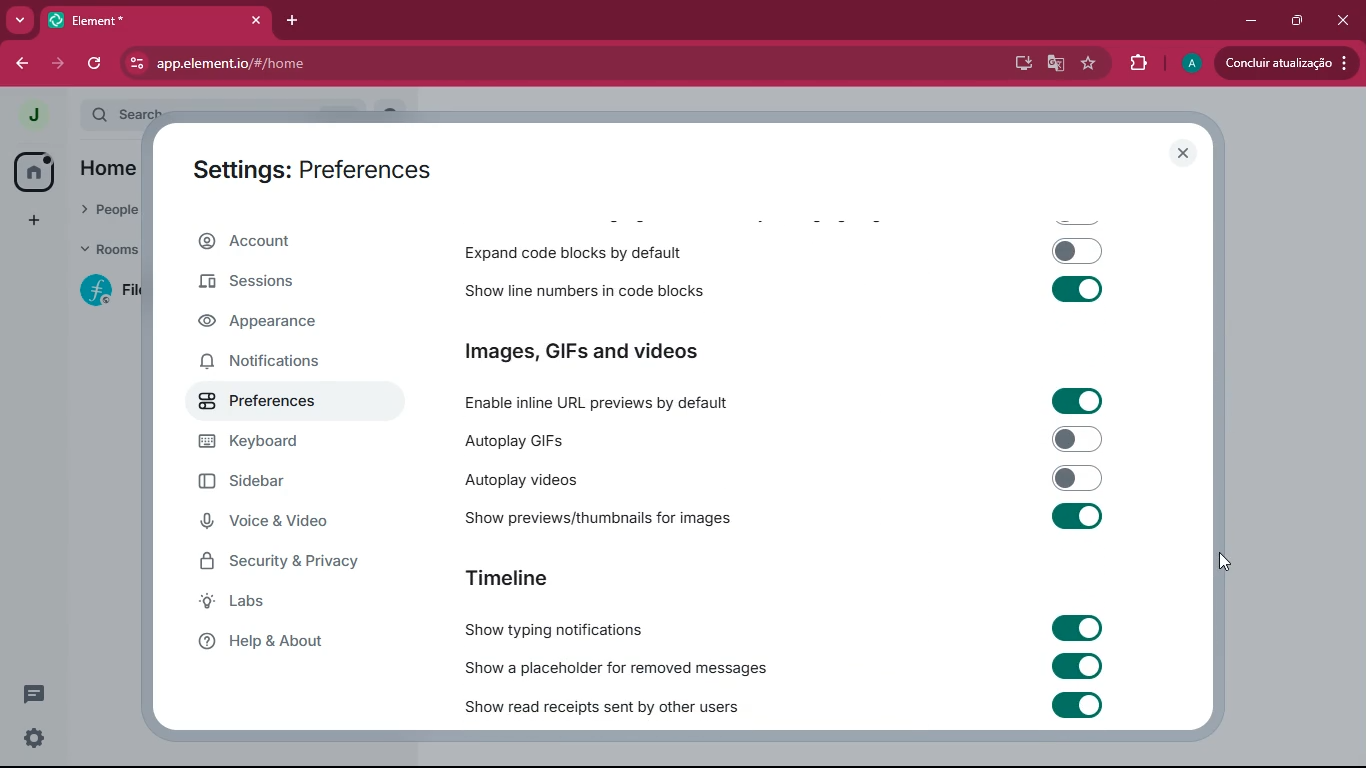 This screenshot has width=1366, height=768. I want to click on show line numbers in code blocks, so click(582, 289).